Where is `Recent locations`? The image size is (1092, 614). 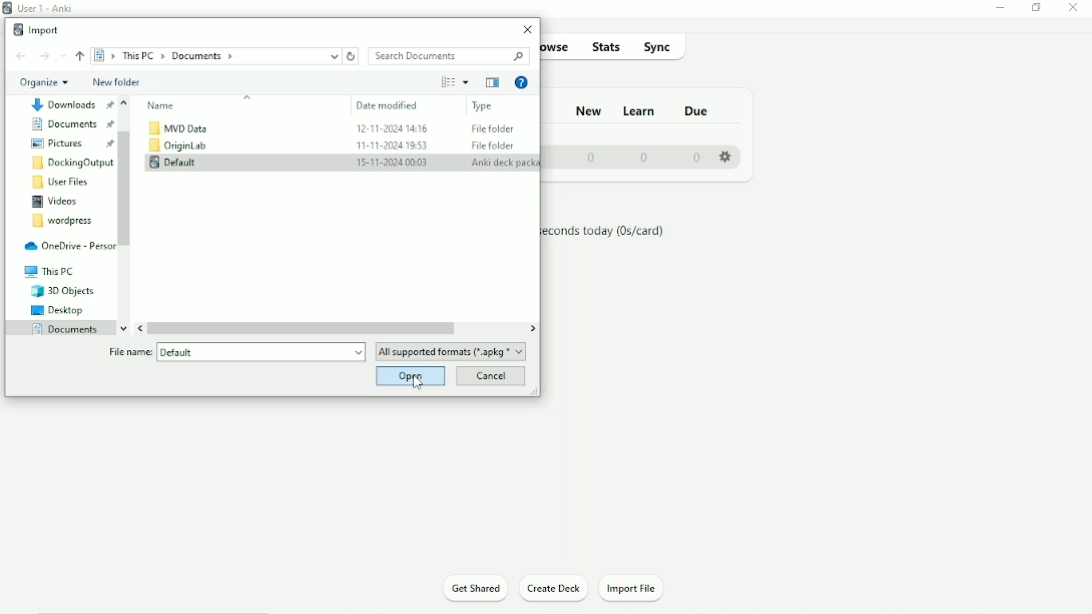 Recent locations is located at coordinates (65, 55).